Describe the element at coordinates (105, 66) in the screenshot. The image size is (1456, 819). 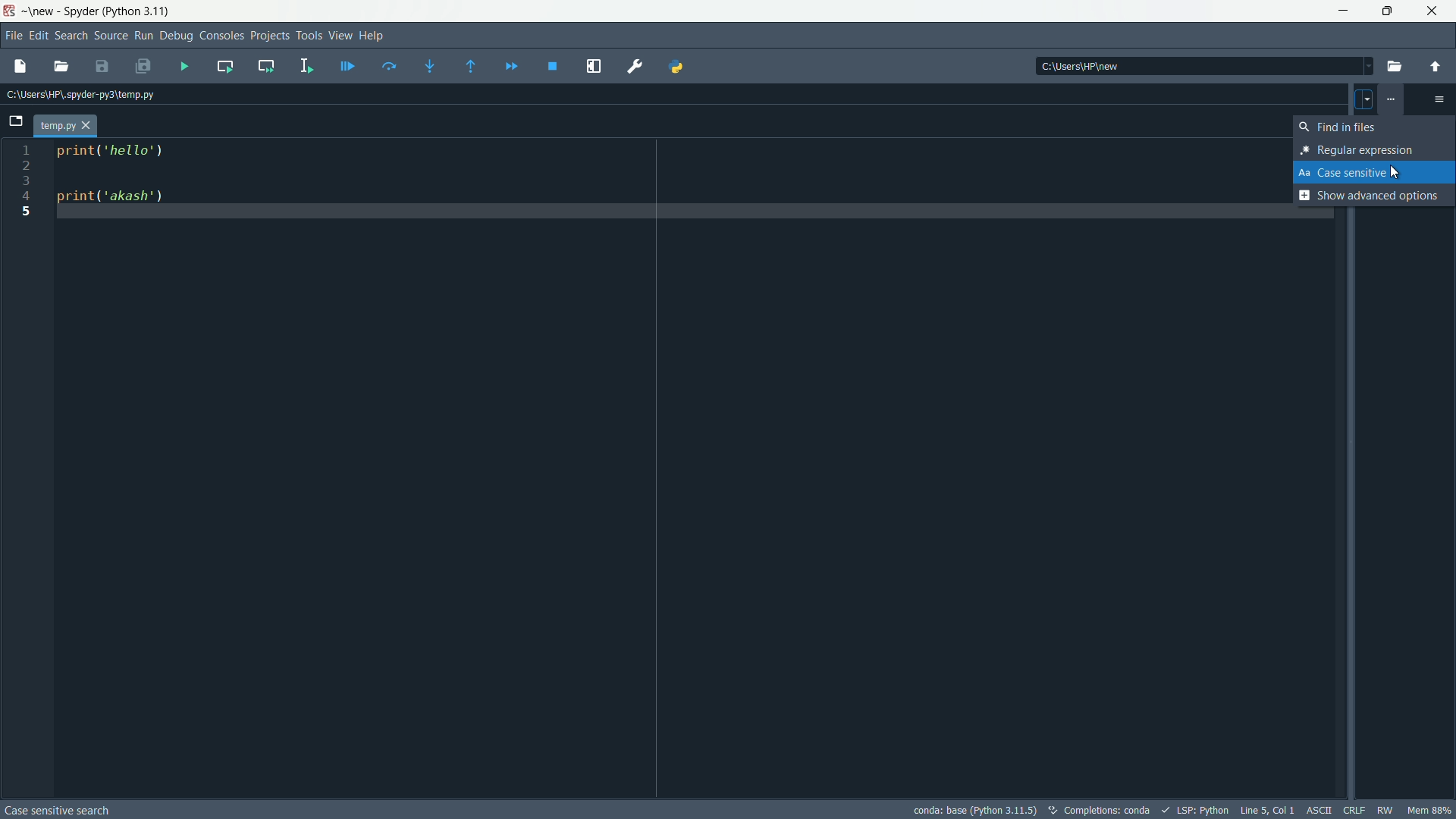
I see `save file` at that location.